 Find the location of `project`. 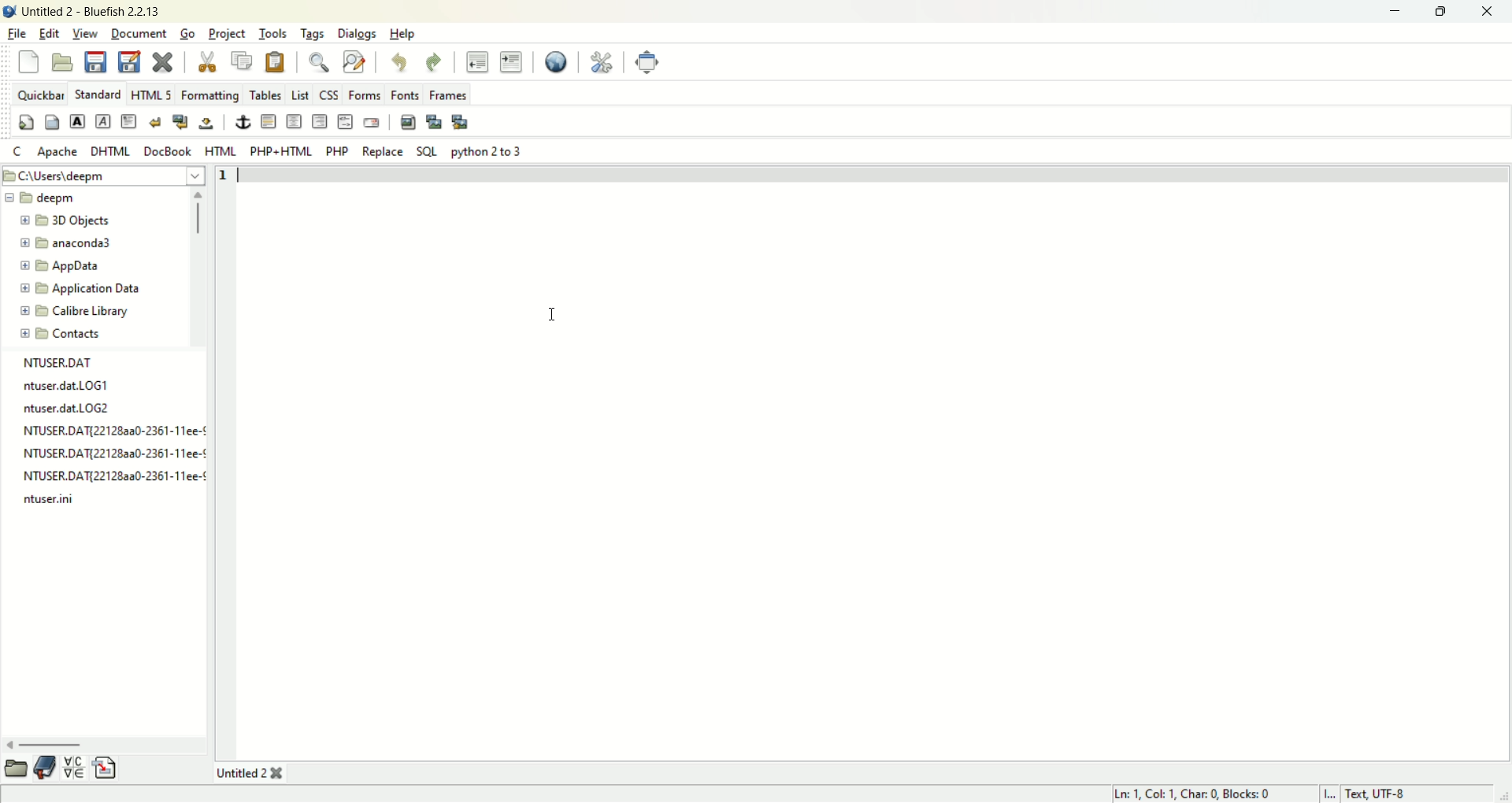

project is located at coordinates (228, 34).